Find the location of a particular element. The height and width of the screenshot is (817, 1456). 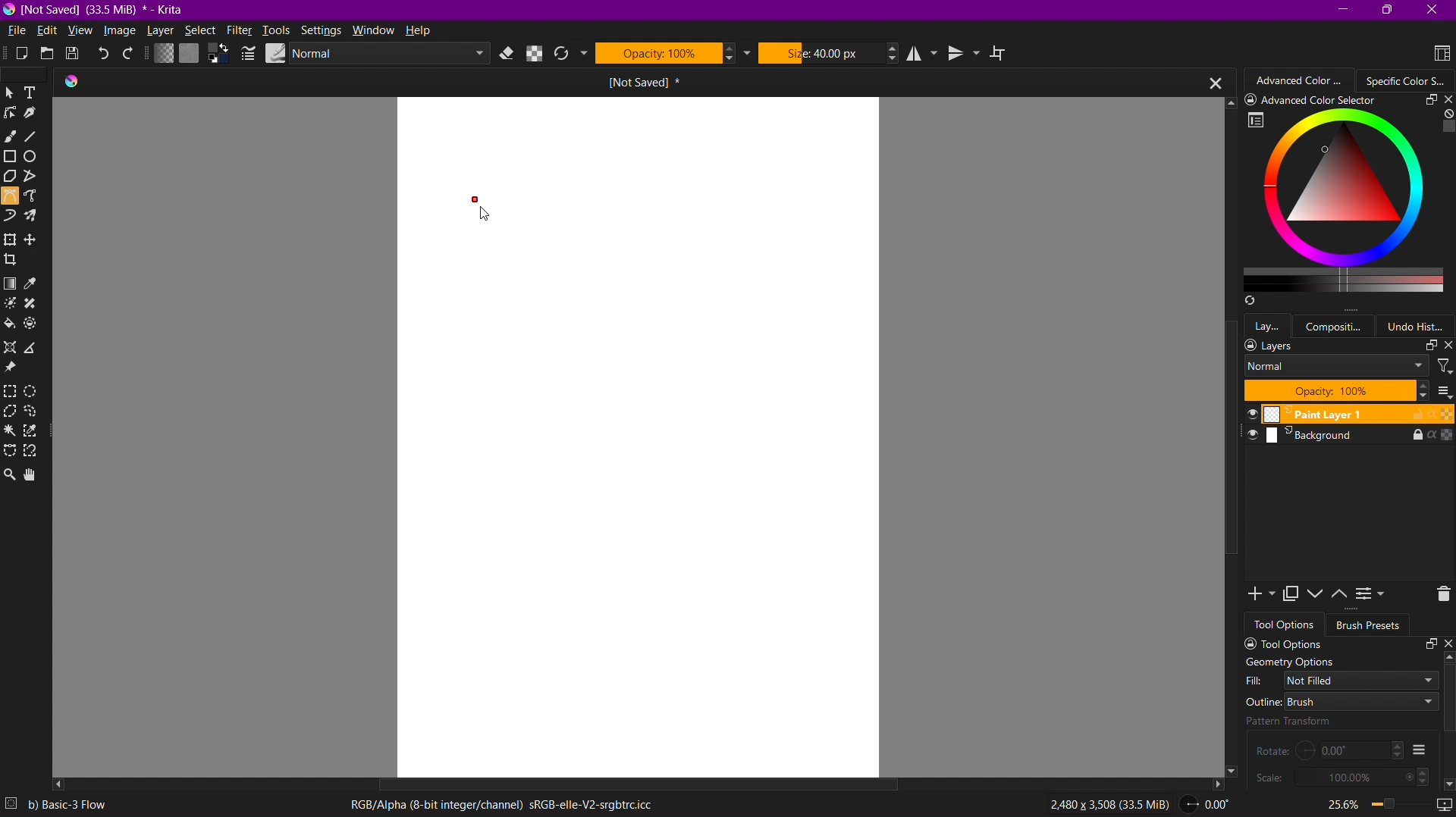

Maximize is located at coordinates (1389, 11).